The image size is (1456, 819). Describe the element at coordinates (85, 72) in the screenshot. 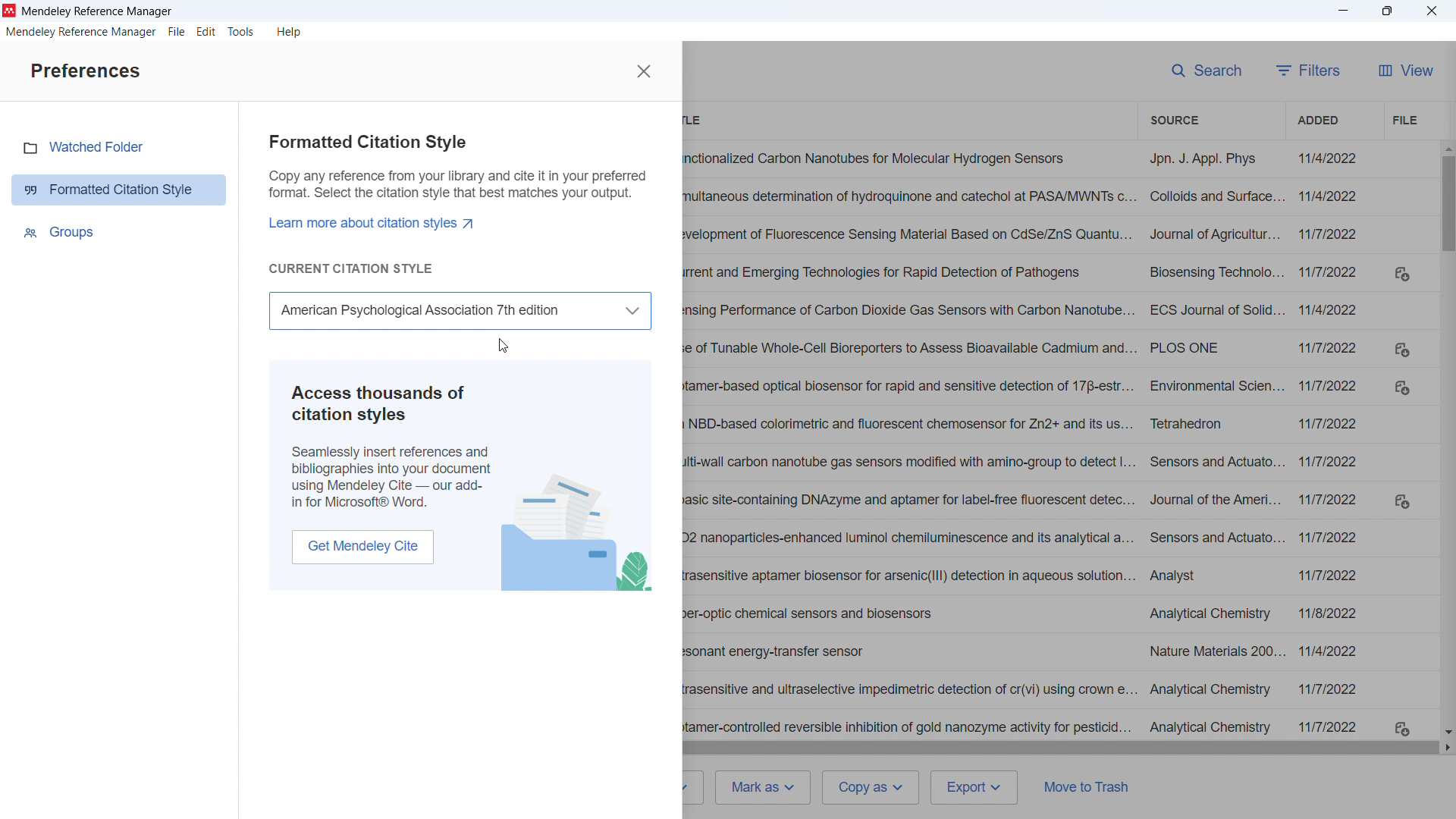

I see `Preferences ` at that location.